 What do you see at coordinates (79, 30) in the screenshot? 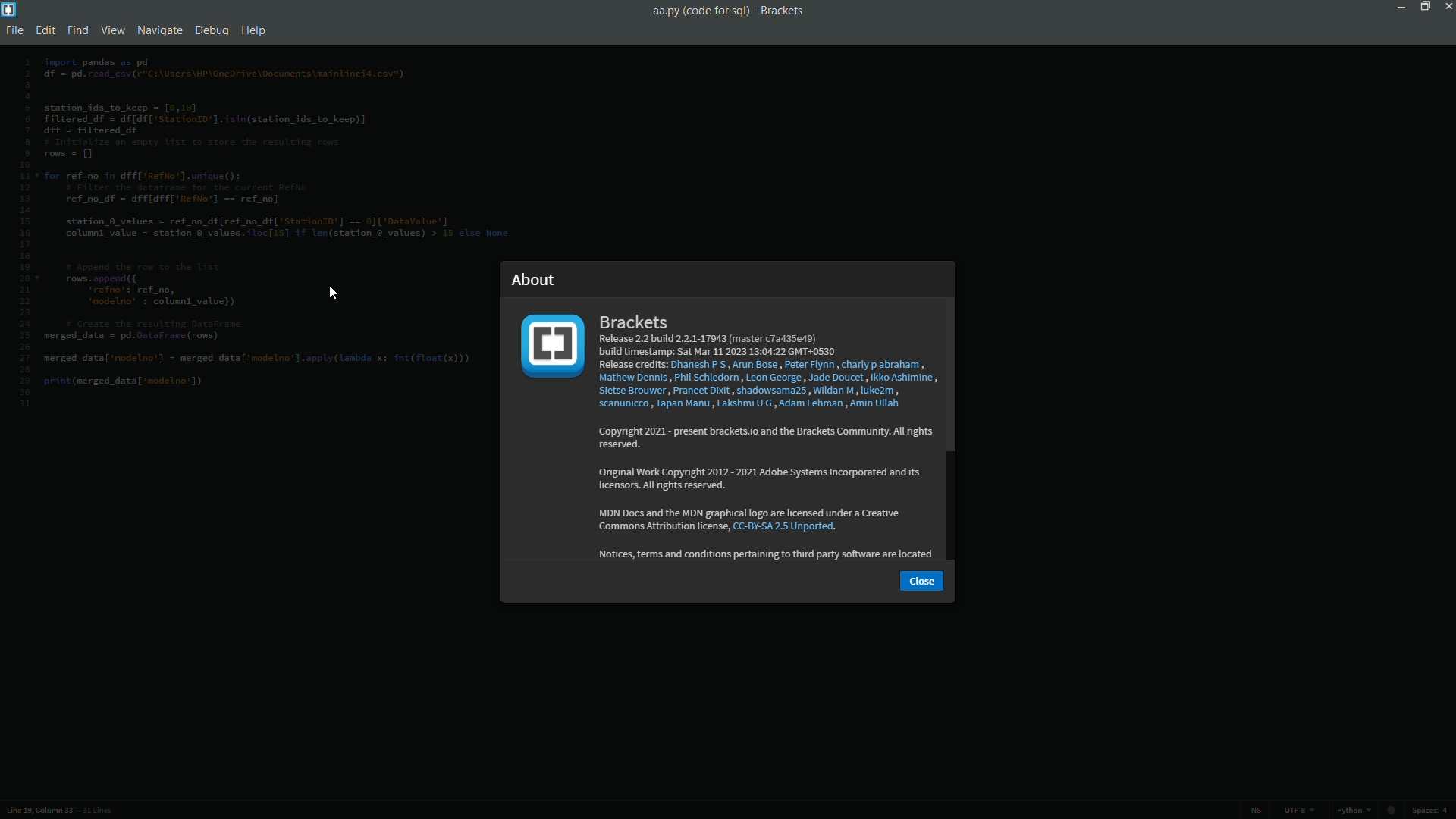
I see `find menu` at bounding box center [79, 30].